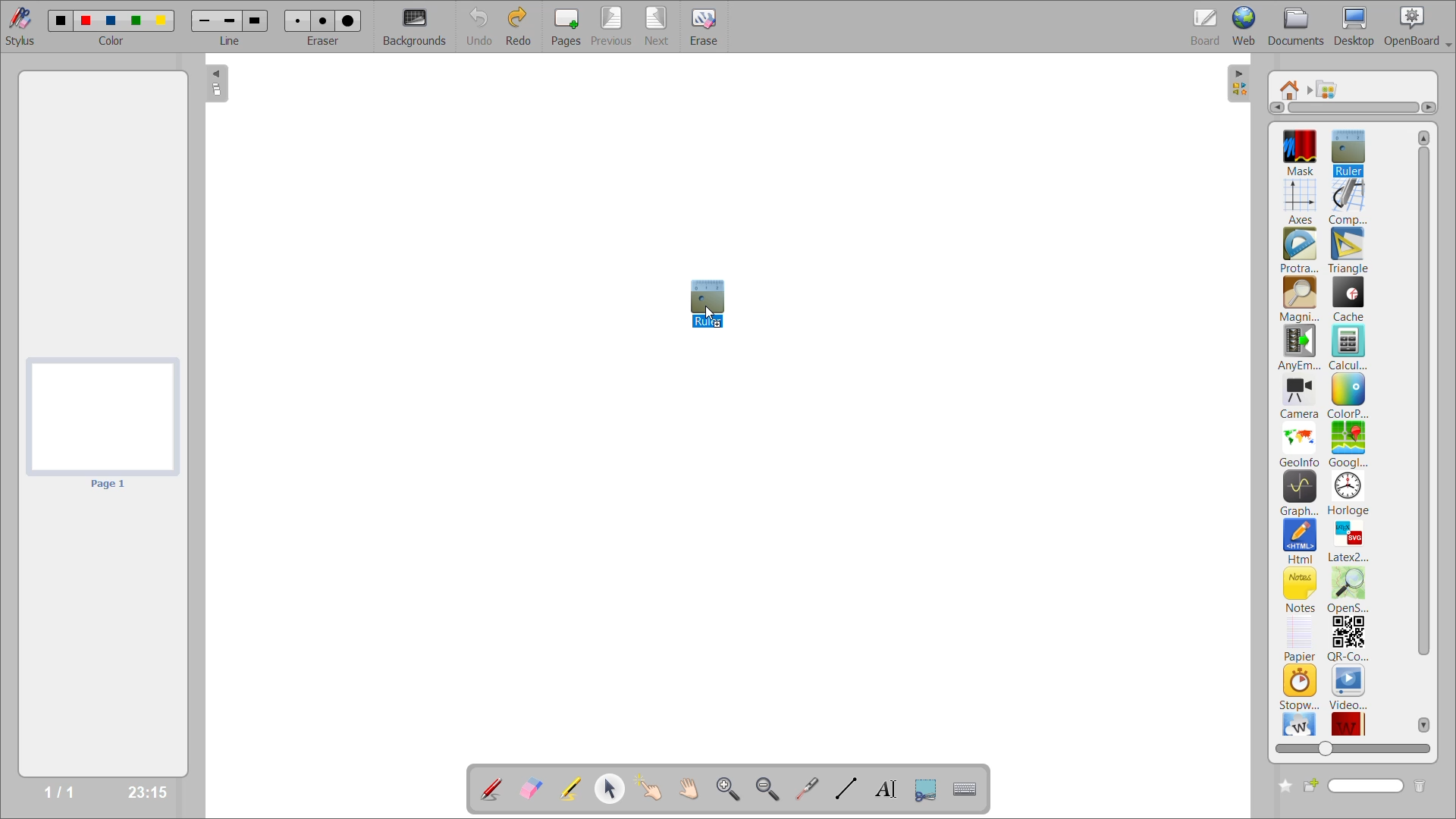  I want to click on web, so click(1246, 25).